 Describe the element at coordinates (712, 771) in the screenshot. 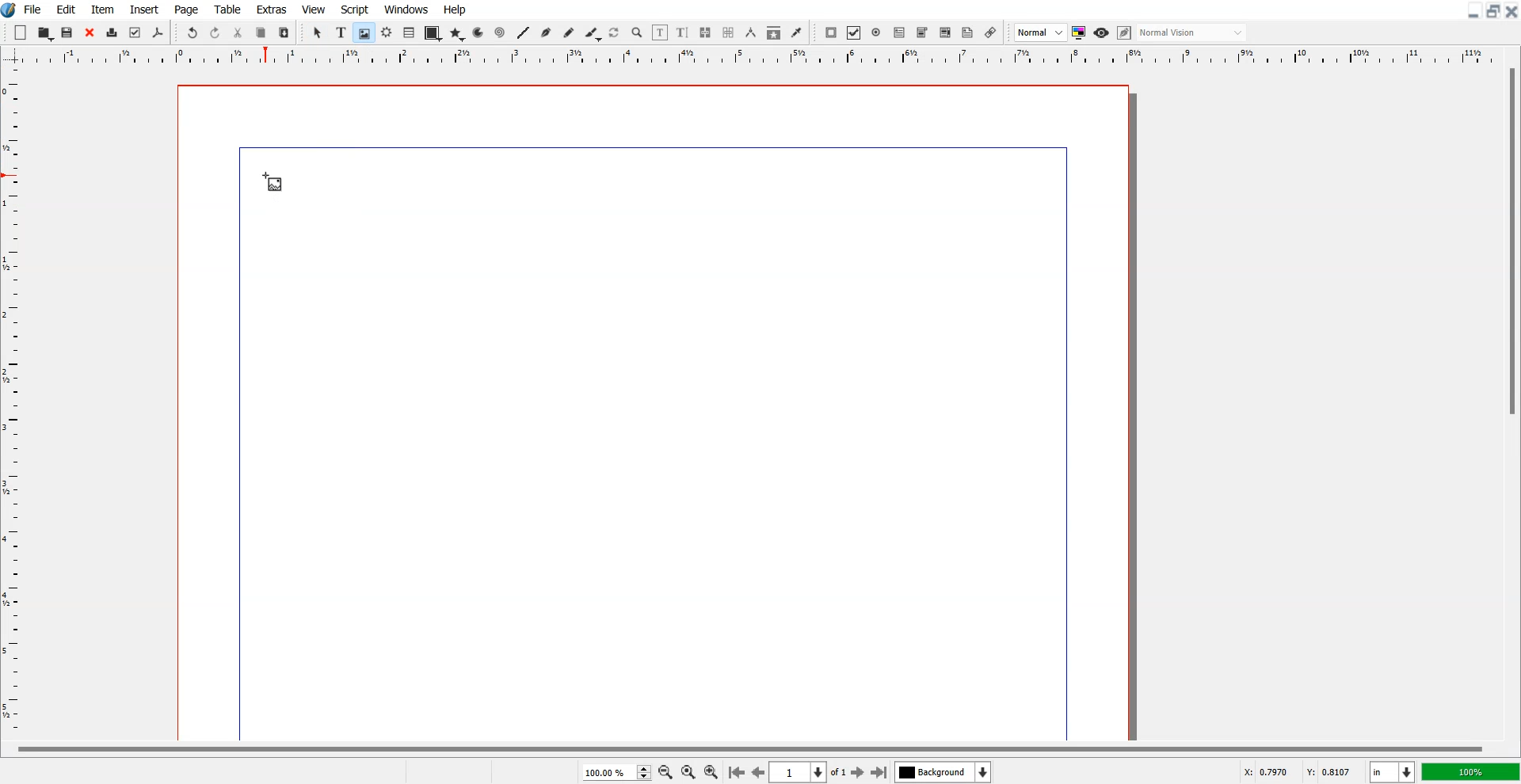

I see `Zoom In` at that location.